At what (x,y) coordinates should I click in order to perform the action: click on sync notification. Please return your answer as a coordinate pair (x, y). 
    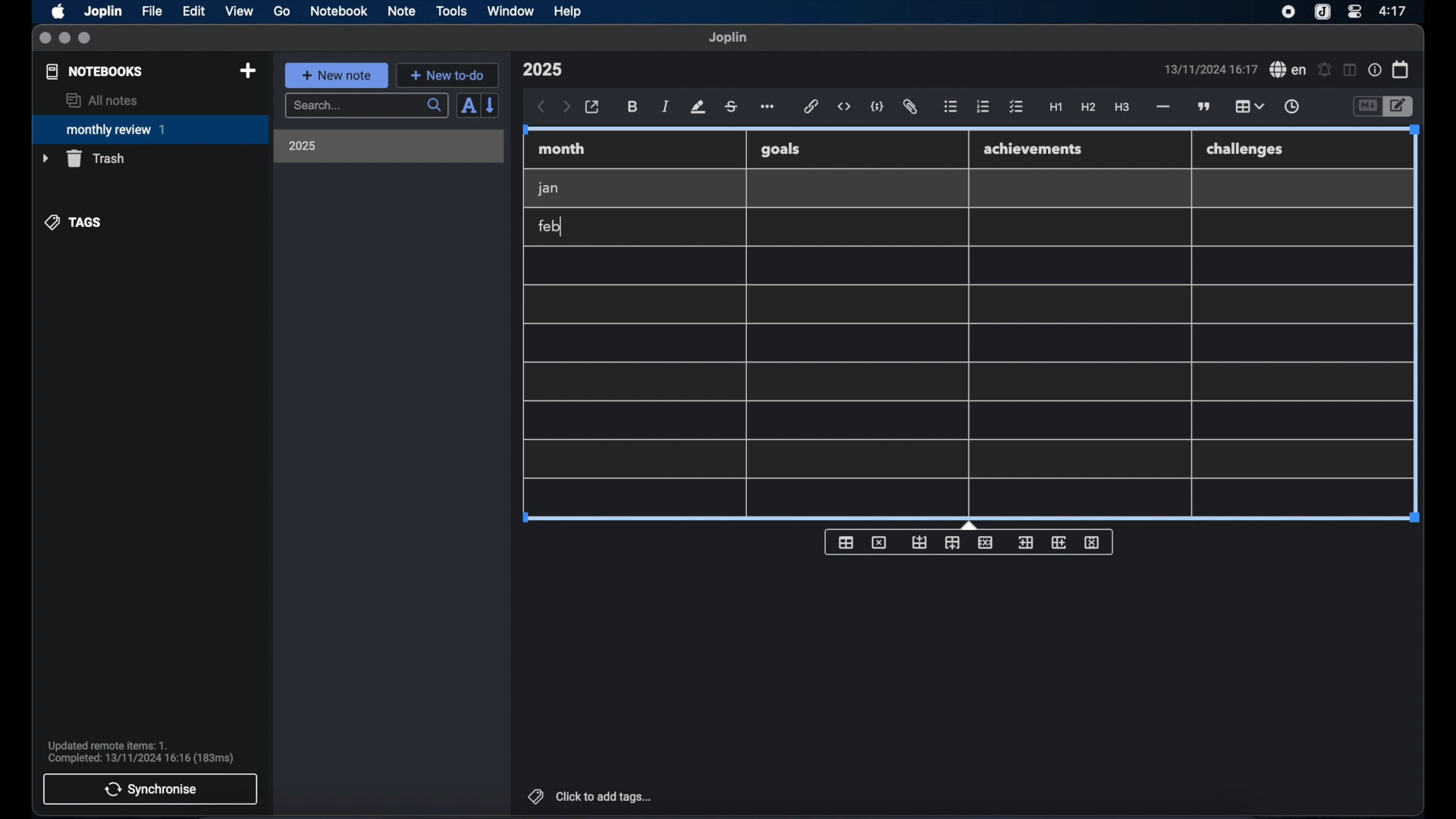
    Looking at the image, I should click on (141, 752).